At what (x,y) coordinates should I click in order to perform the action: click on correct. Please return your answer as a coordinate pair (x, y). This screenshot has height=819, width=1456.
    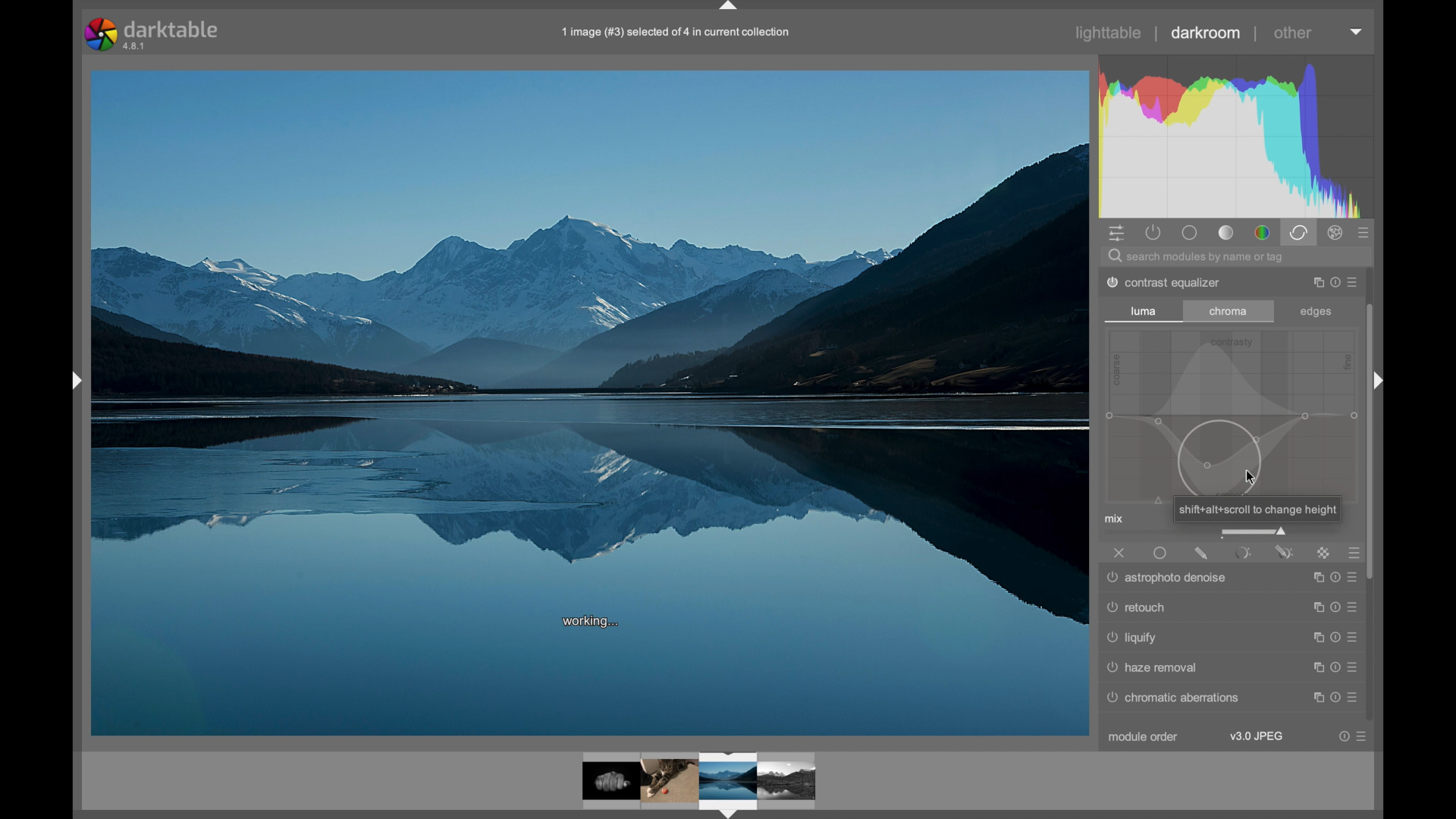
    Looking at the image, I should click on (1298, 232).